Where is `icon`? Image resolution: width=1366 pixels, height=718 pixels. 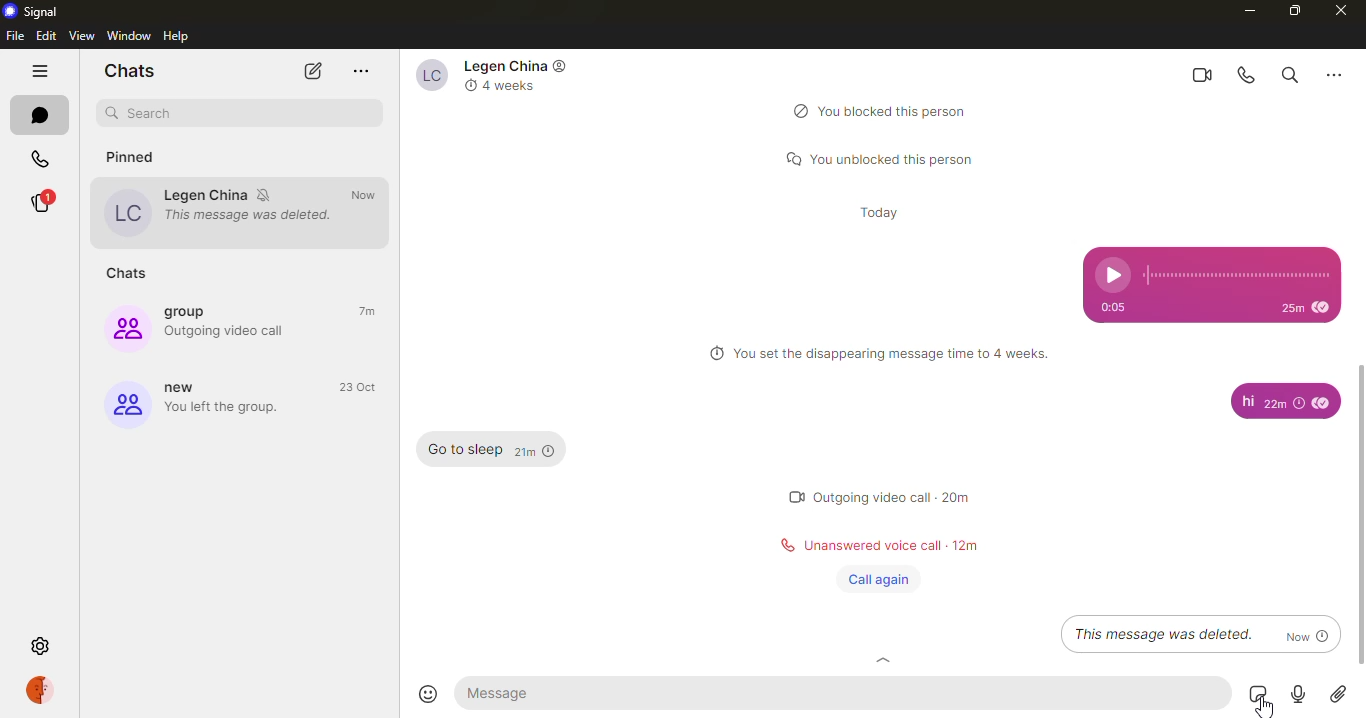
icon is located at coordinates (563, 68).